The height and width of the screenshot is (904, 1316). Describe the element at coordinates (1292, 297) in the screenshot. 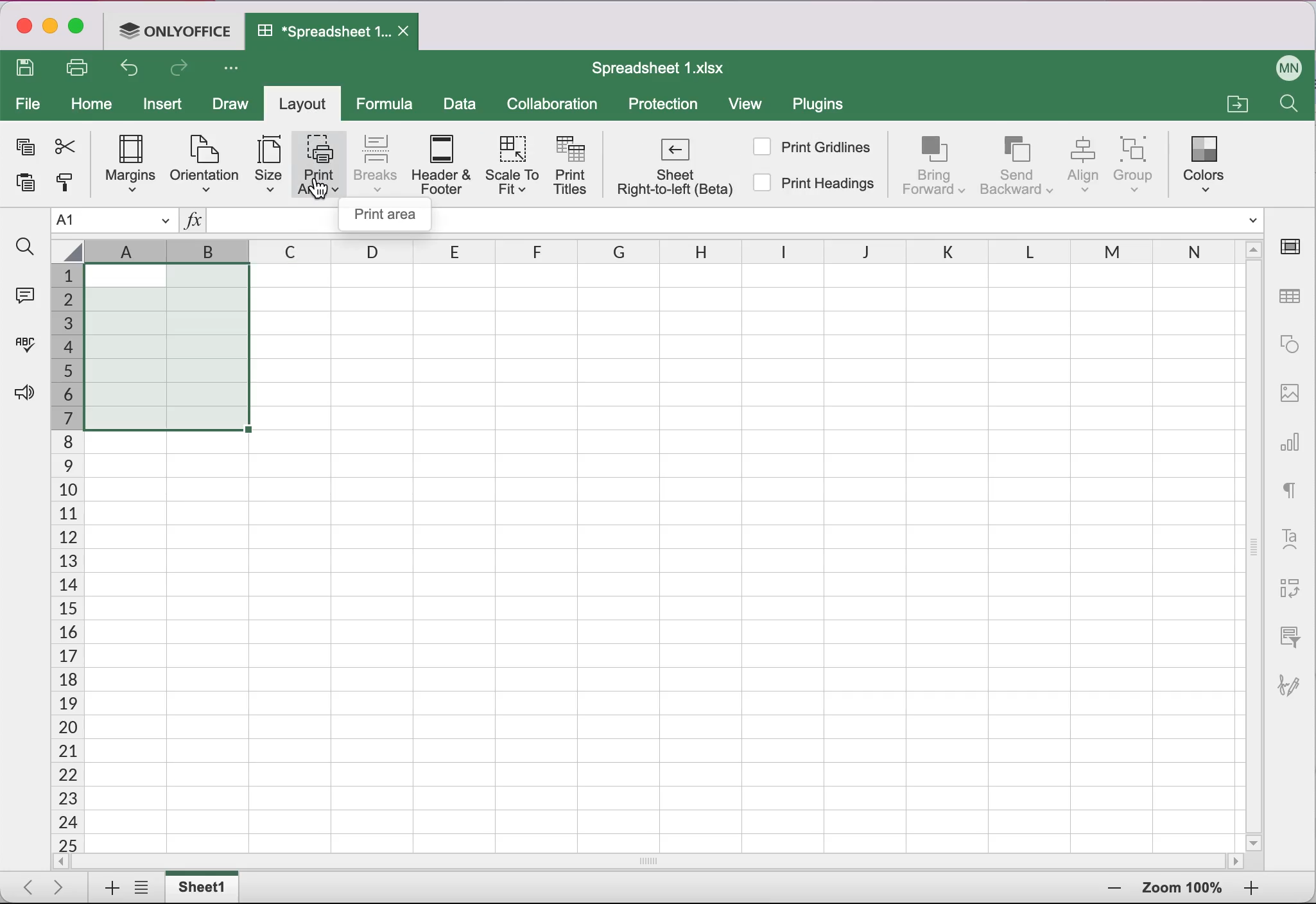

I see `table` at that location.